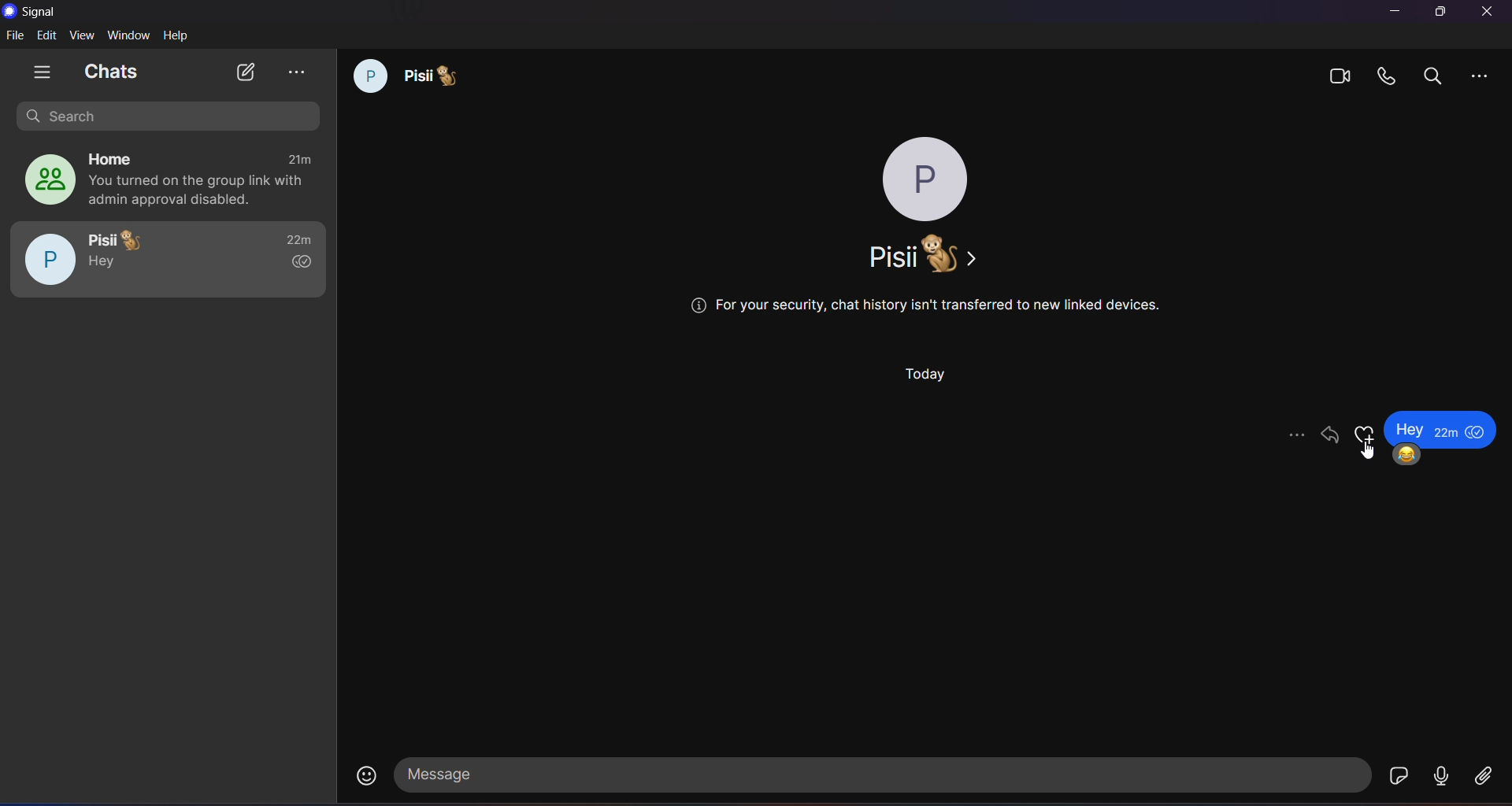 The image size is (1512, 806). What do you see at coordinates (1407, 455) in the screenshot?
I see `emoji` at bounding box center [1407, 455].